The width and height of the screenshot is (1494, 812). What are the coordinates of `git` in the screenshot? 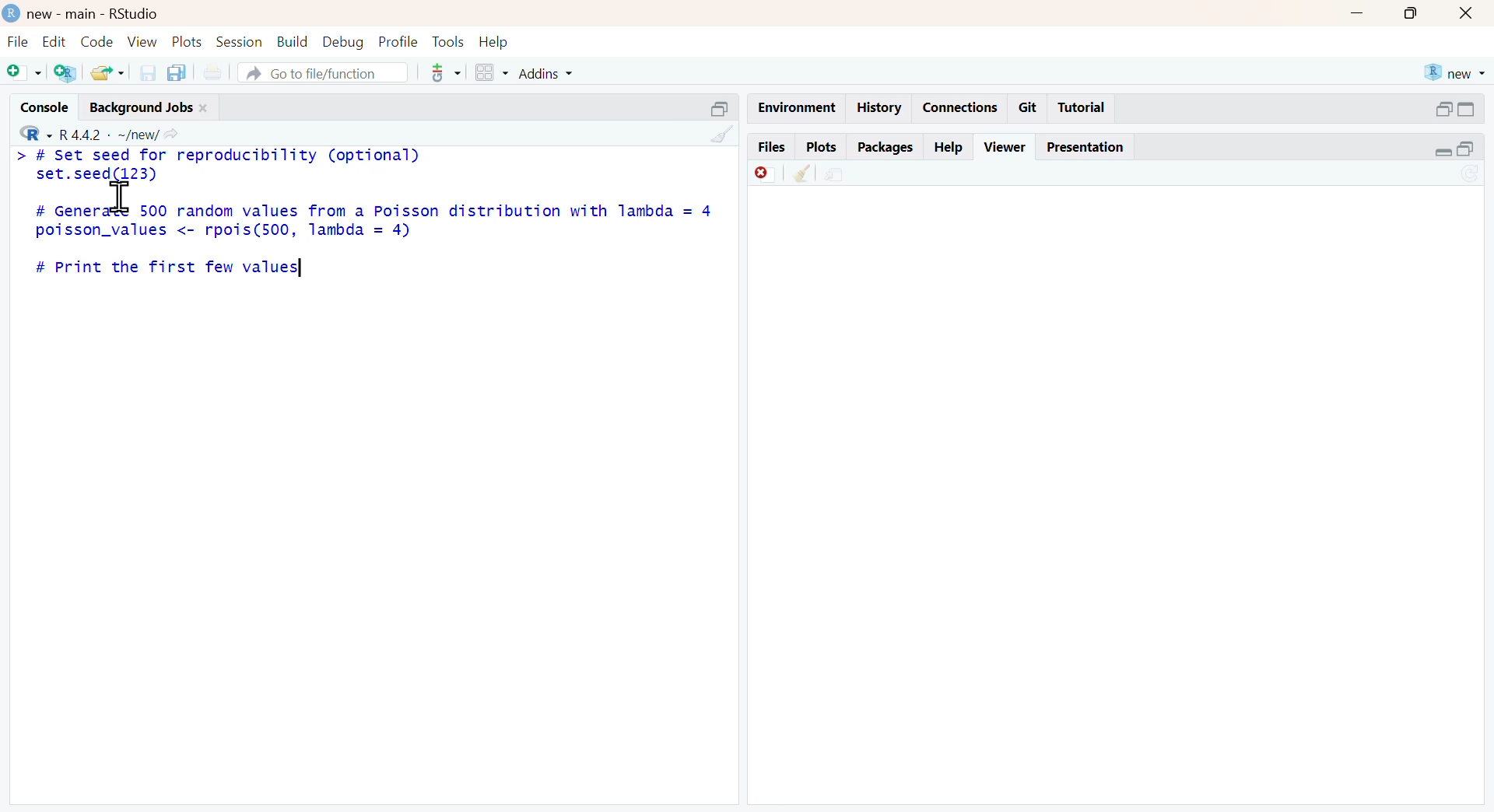 It's located at (1029, 107).